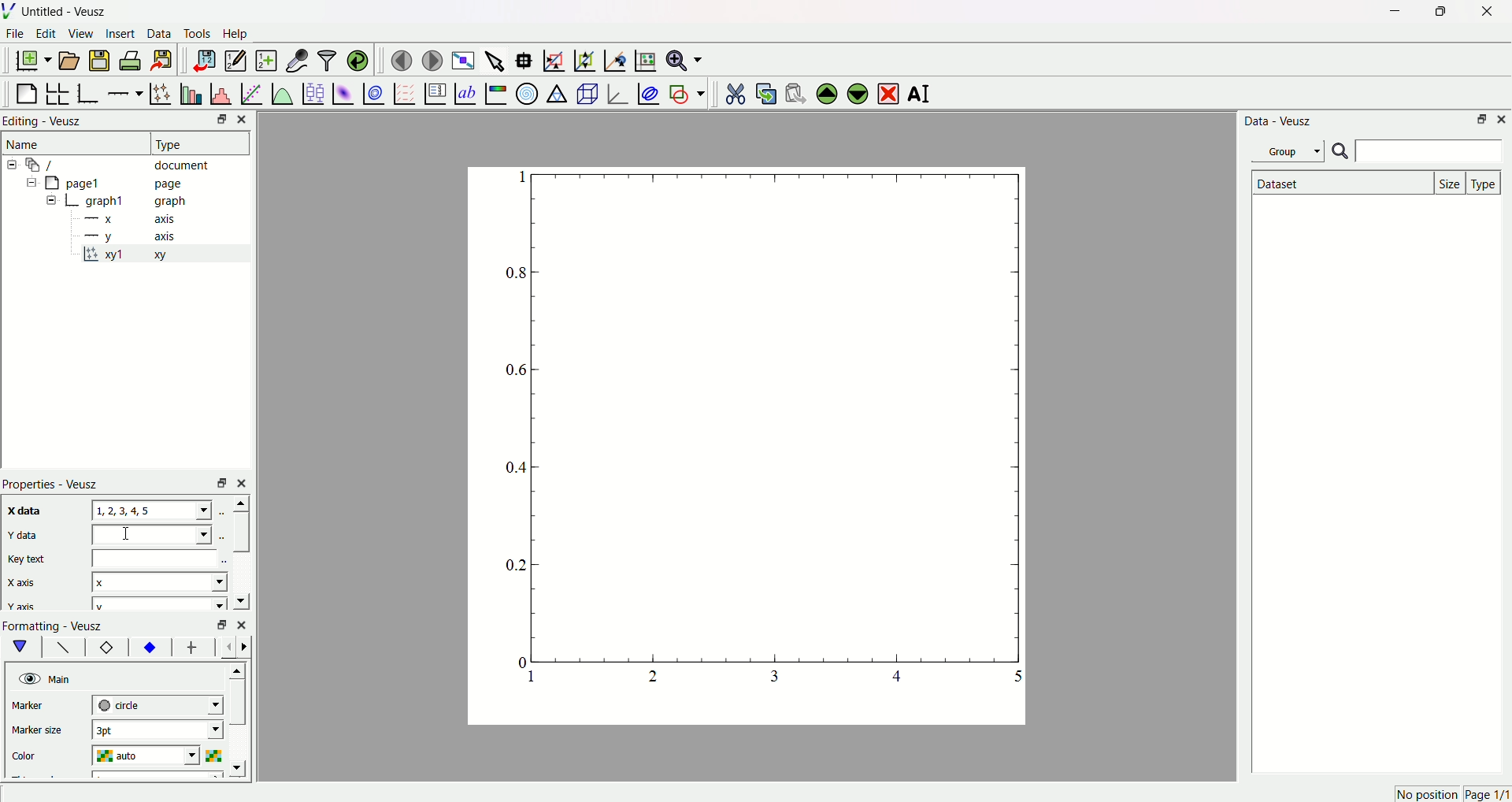  I want to click on border fill, so click(149, 647).